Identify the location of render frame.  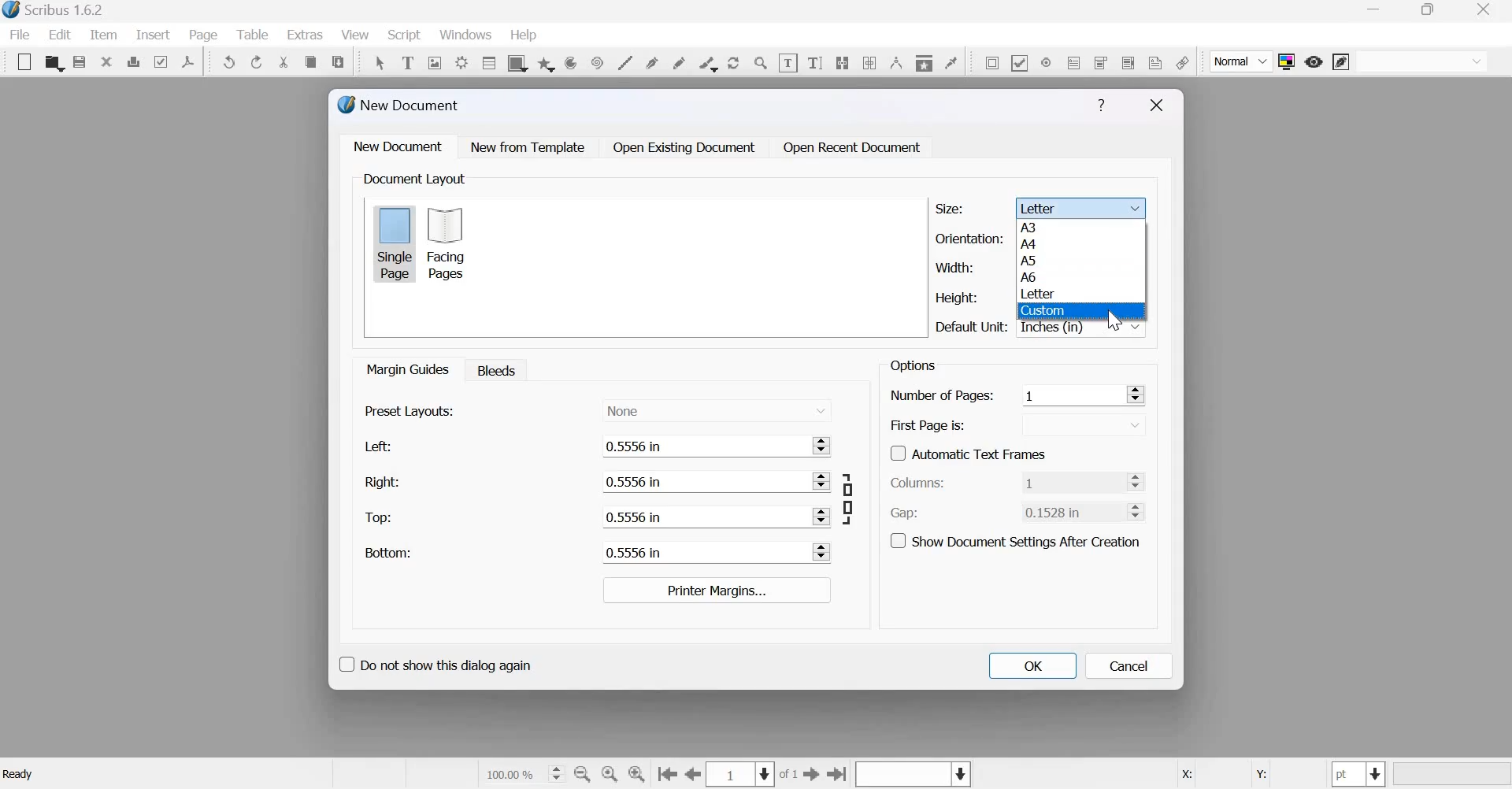
(461, 61).